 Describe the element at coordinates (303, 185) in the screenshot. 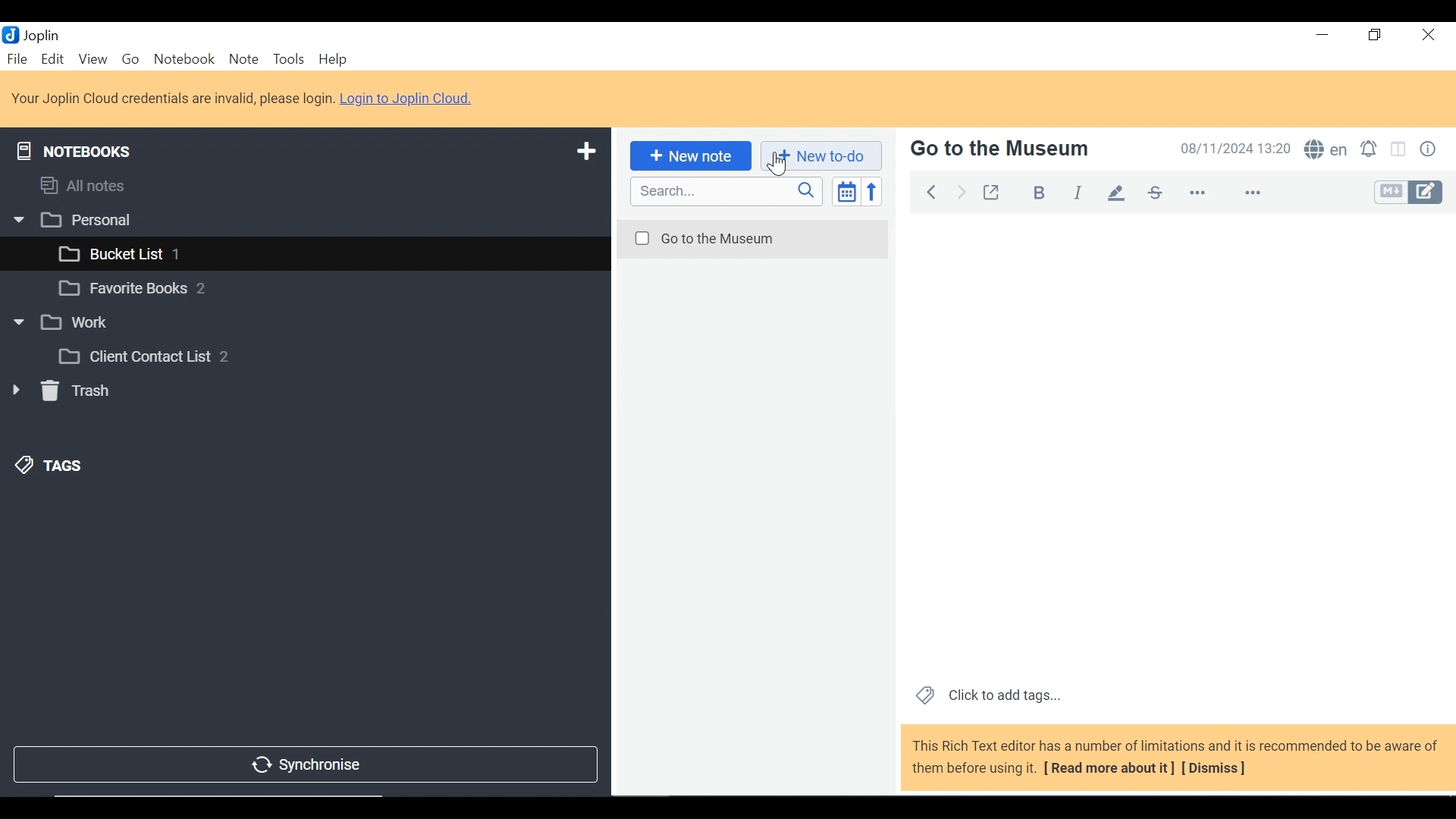

I see `Notebooks and Tags Display` at that location.